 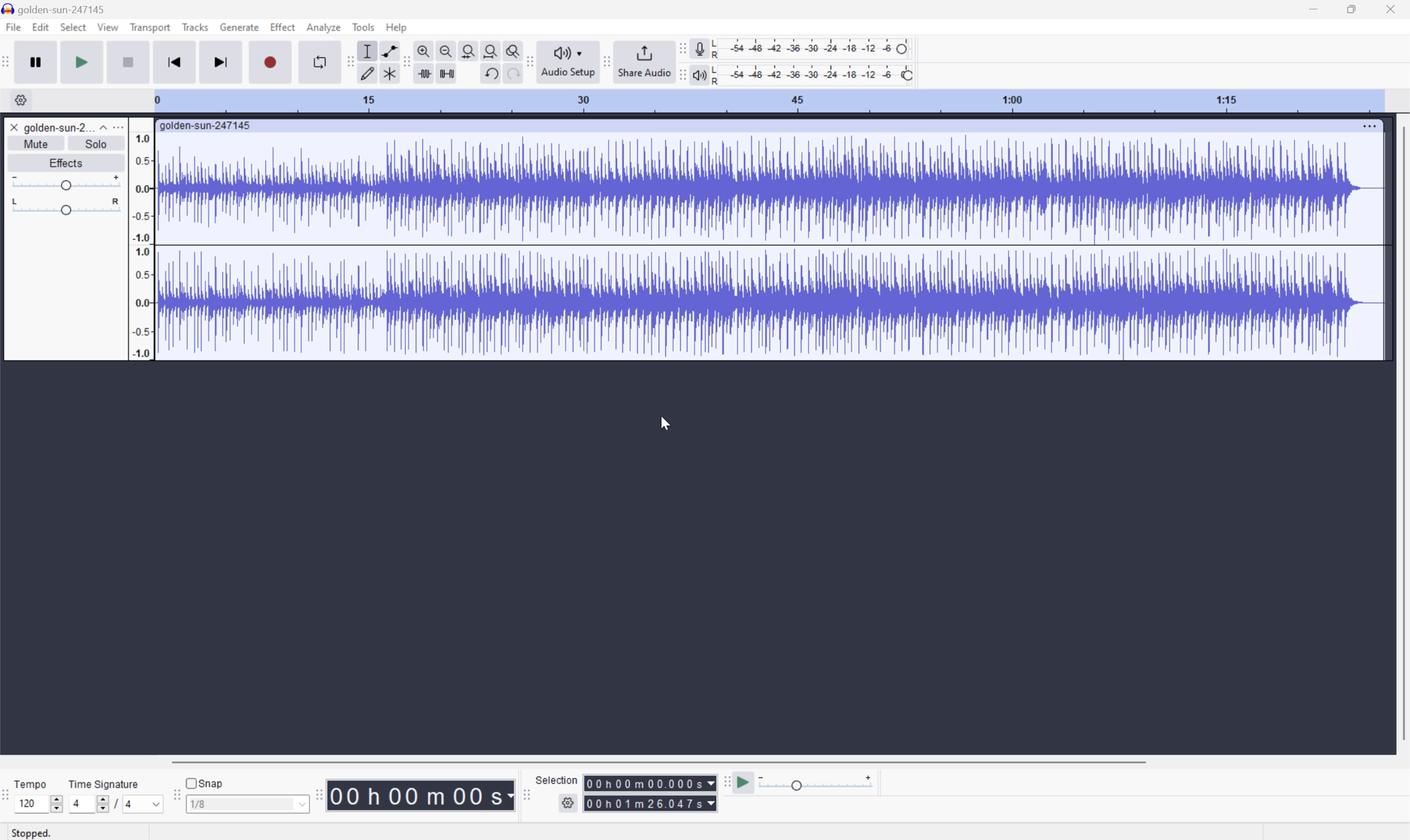 I want to click on Audacity Time Signature Toolbar, so click(x=9, y=798).